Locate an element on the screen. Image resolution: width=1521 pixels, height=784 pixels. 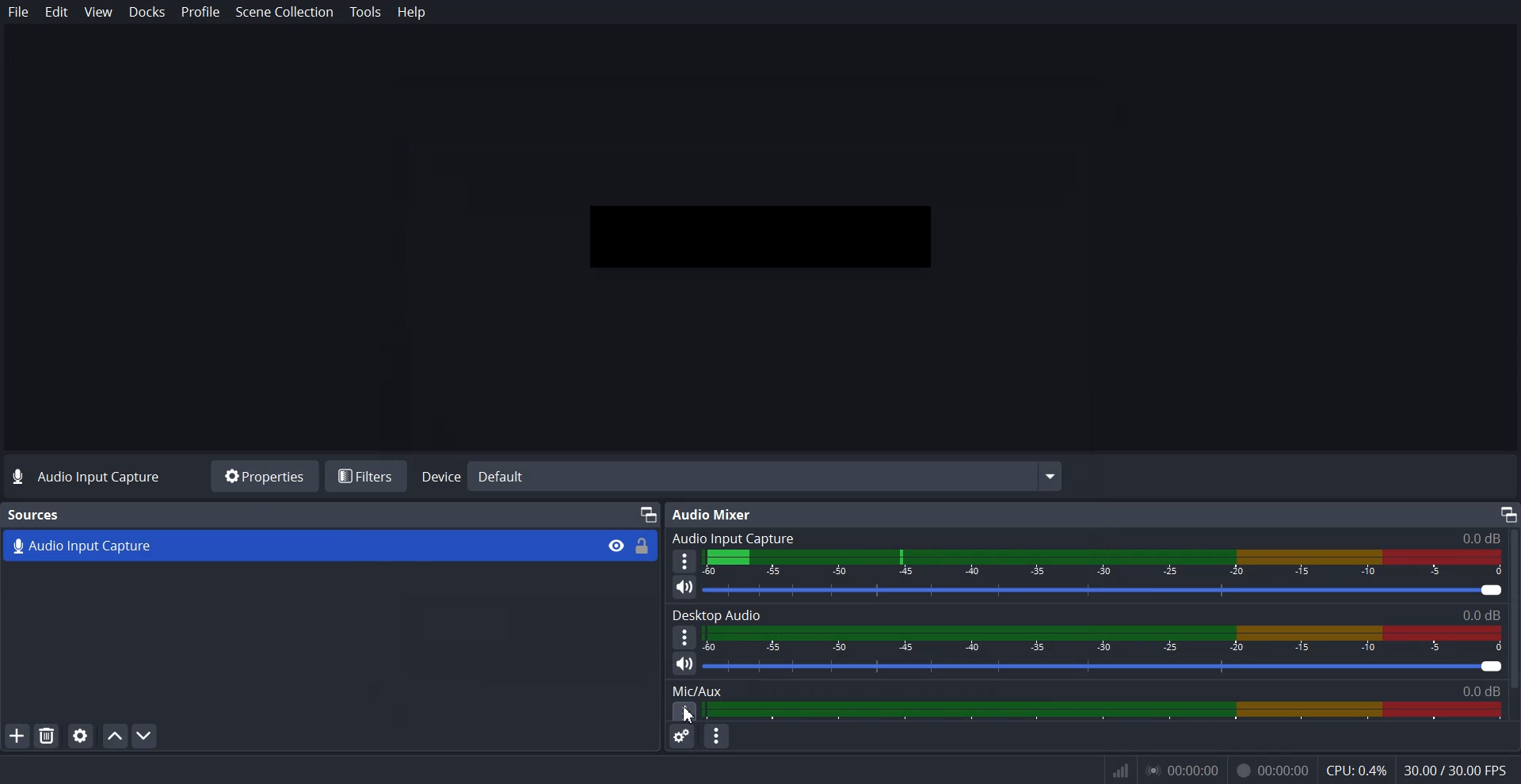
Text is located at coordinates (1092, 613).